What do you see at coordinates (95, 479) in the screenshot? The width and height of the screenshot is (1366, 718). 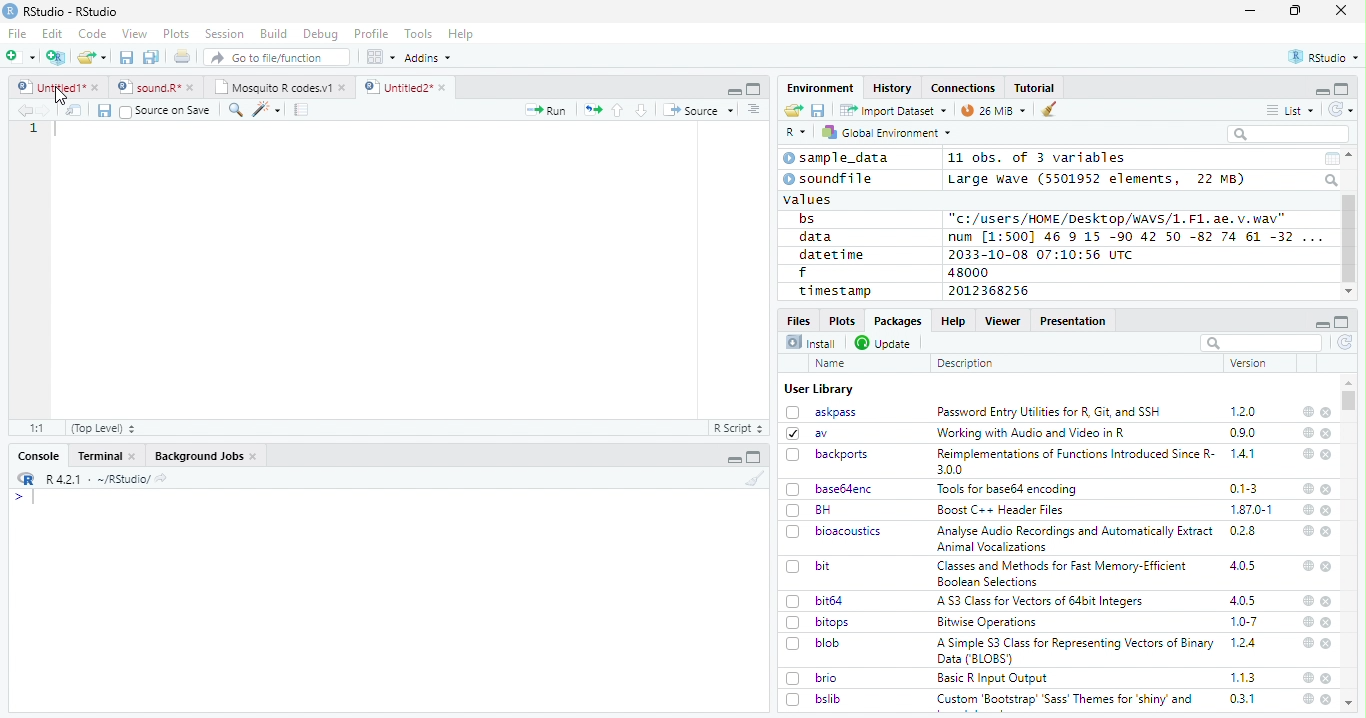 I see `R 4.2.1 - ~/RStudio/` at bounding box center [95, 479].